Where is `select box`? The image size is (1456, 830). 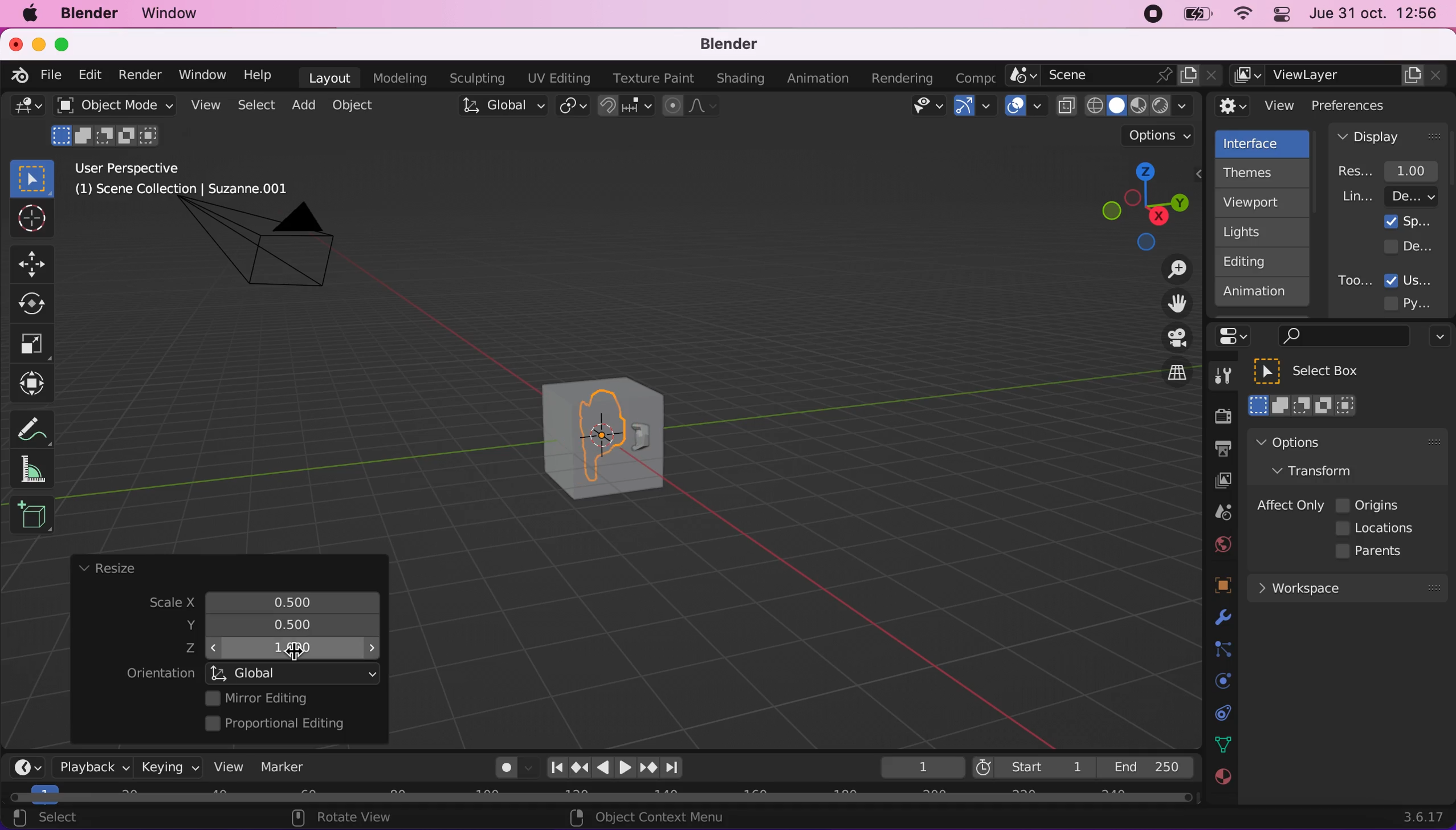 select box is located at coordinates (1321, 371).